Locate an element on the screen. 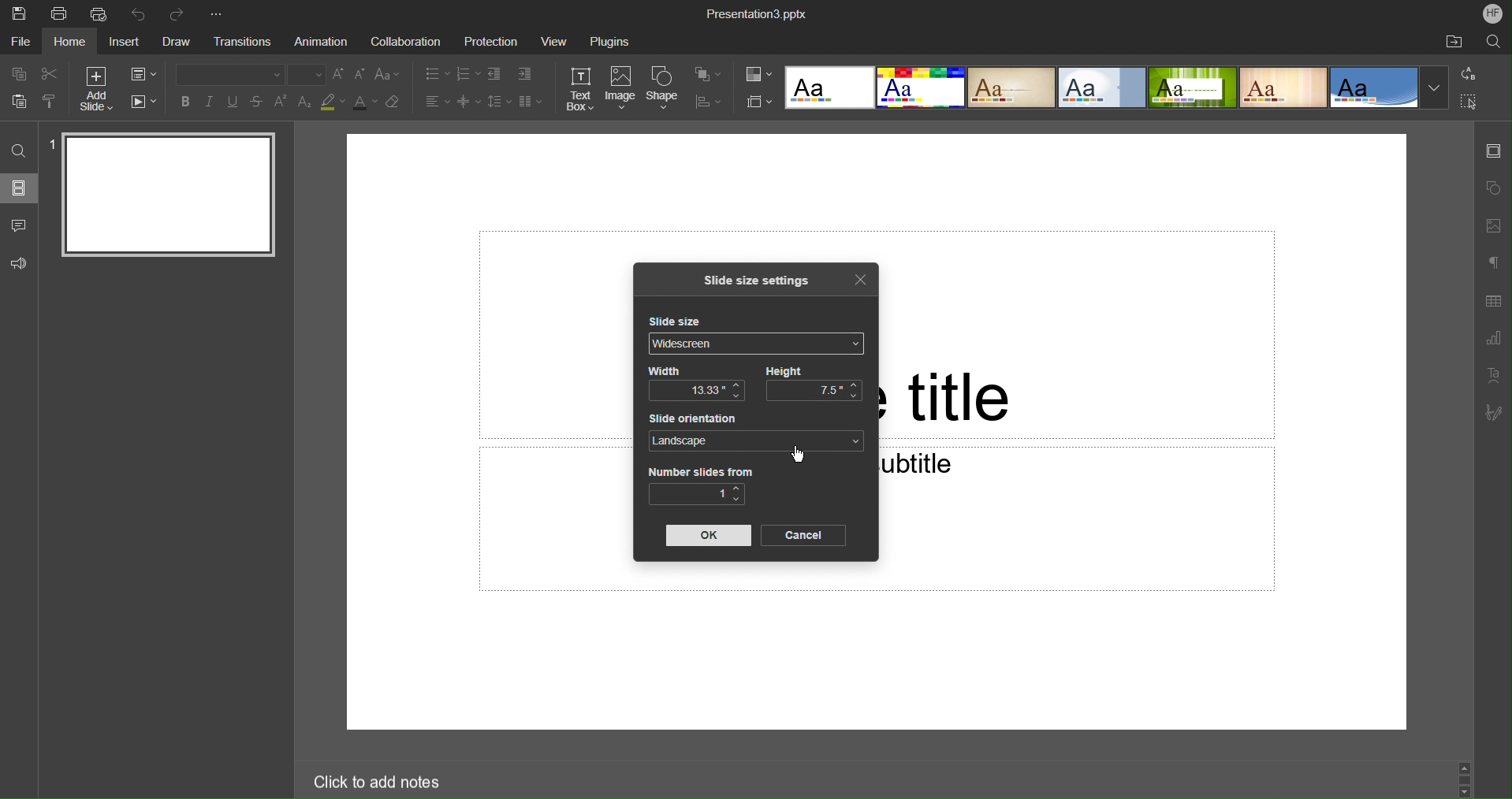 The height and width of the screenshot is (799, 1512). Quick Print is located at coordinates (100, 15).